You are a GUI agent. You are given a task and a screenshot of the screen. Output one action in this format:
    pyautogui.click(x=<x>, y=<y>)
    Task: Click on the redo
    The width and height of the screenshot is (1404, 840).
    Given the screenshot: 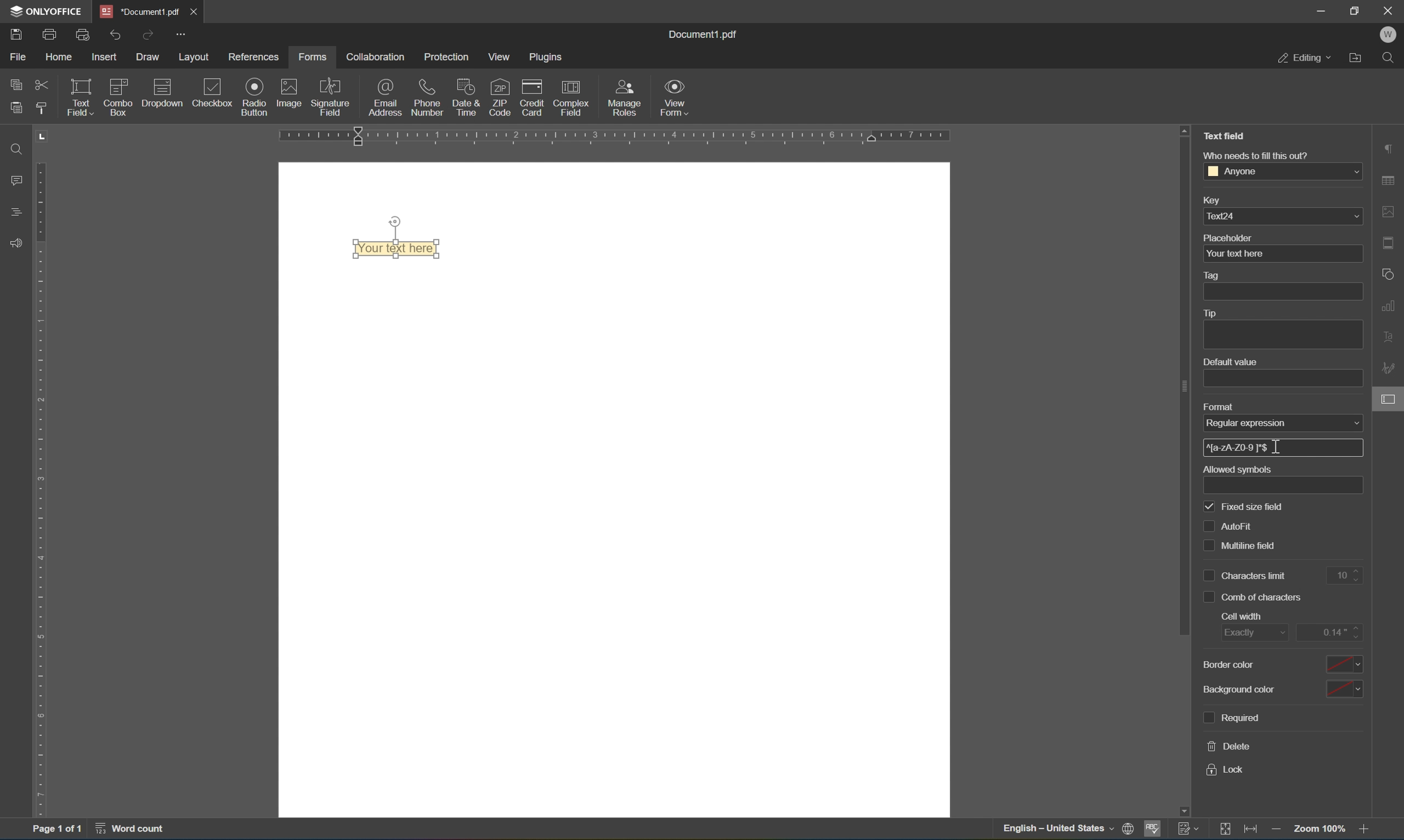 What is the action you would take?
    pyautogui.click(x=150, y=35)
    